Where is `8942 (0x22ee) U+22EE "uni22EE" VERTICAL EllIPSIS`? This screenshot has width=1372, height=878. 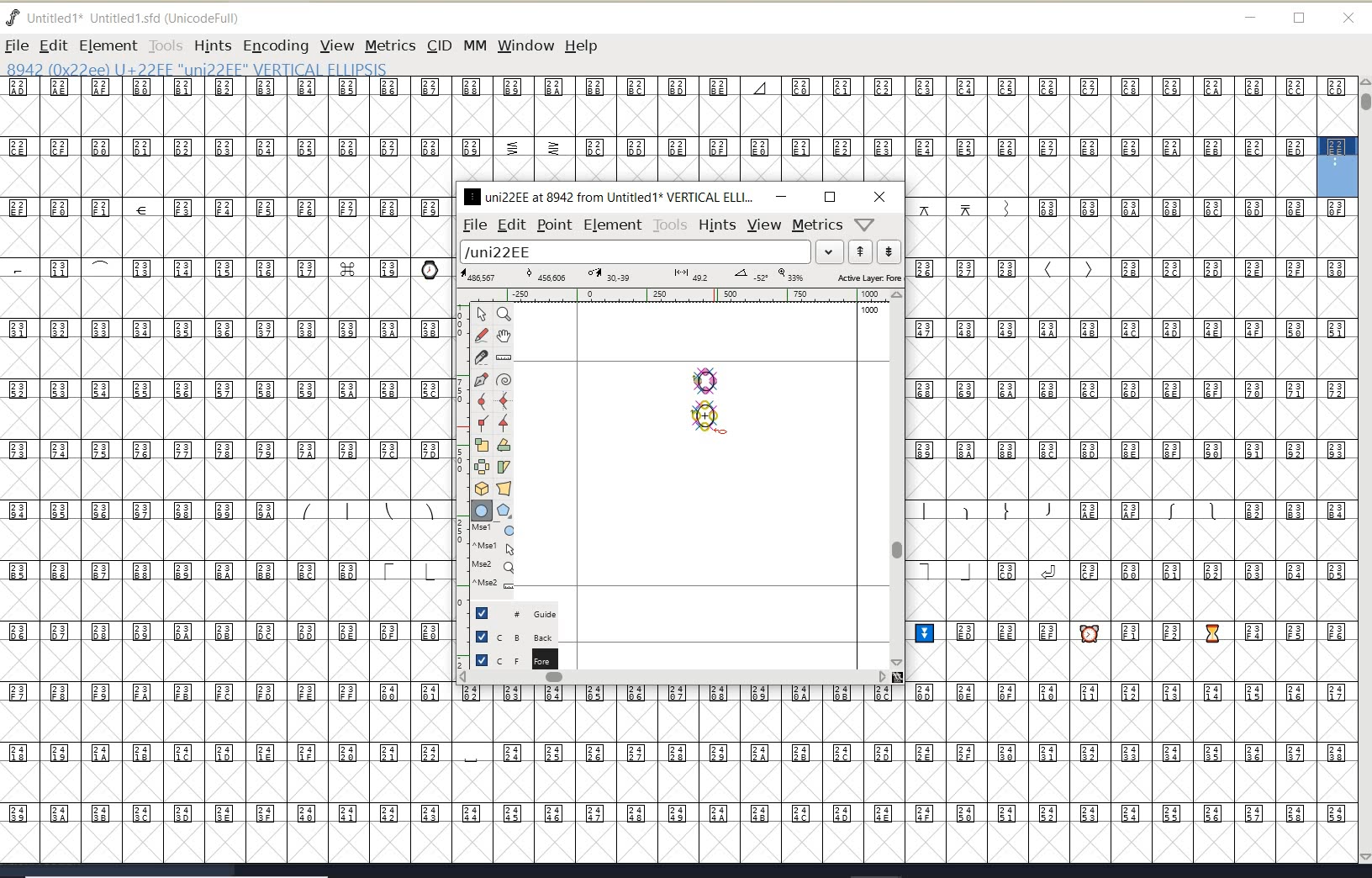
8942 (0x22ee) U+22EE "uni22EE" VERTICAL EllIPSIS is located at coordinates (252, 68).